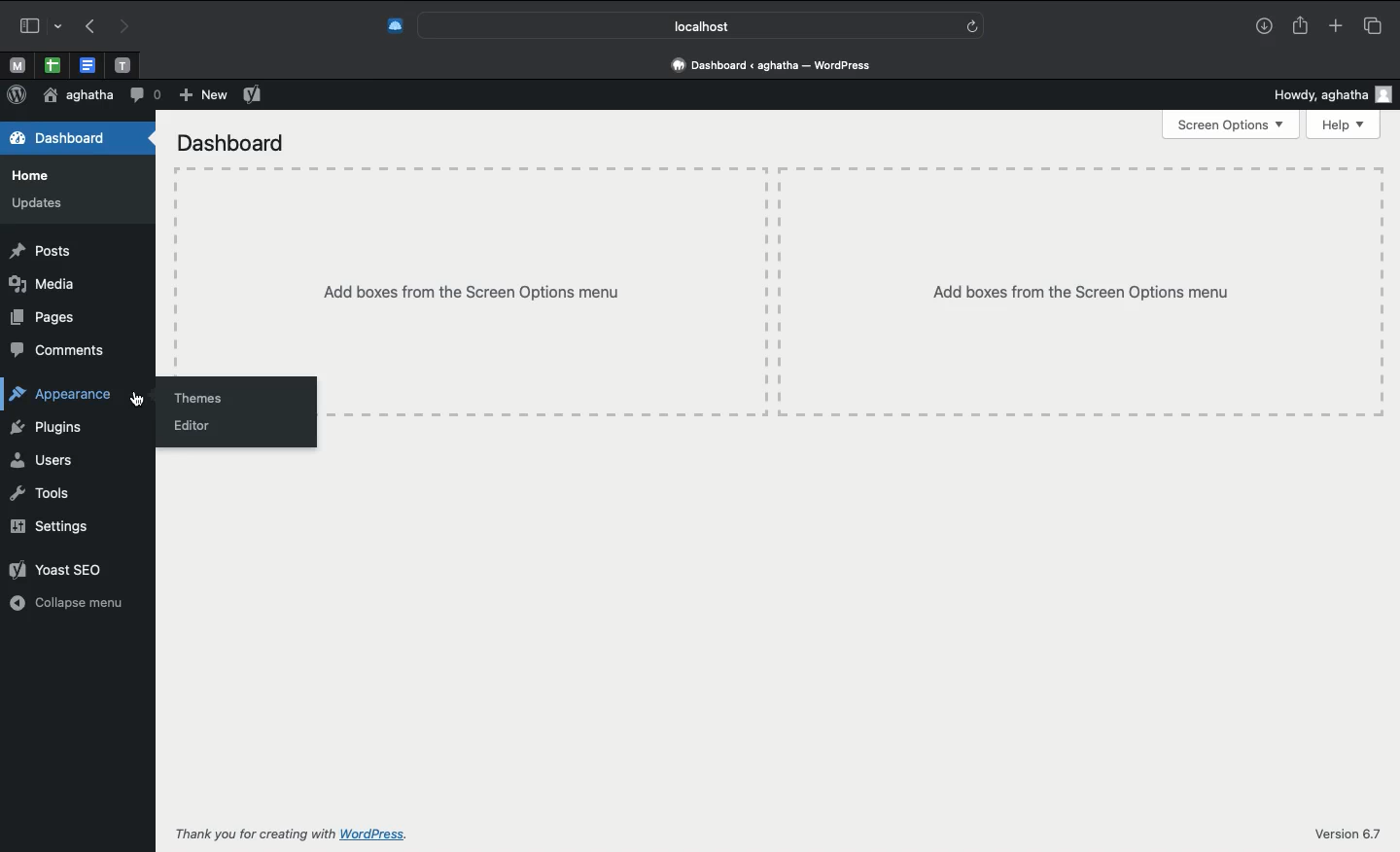  What do you see at coordinates (1378, 23) in the screenshot?
I see `Tabs` at bounding box center [1378, 23].